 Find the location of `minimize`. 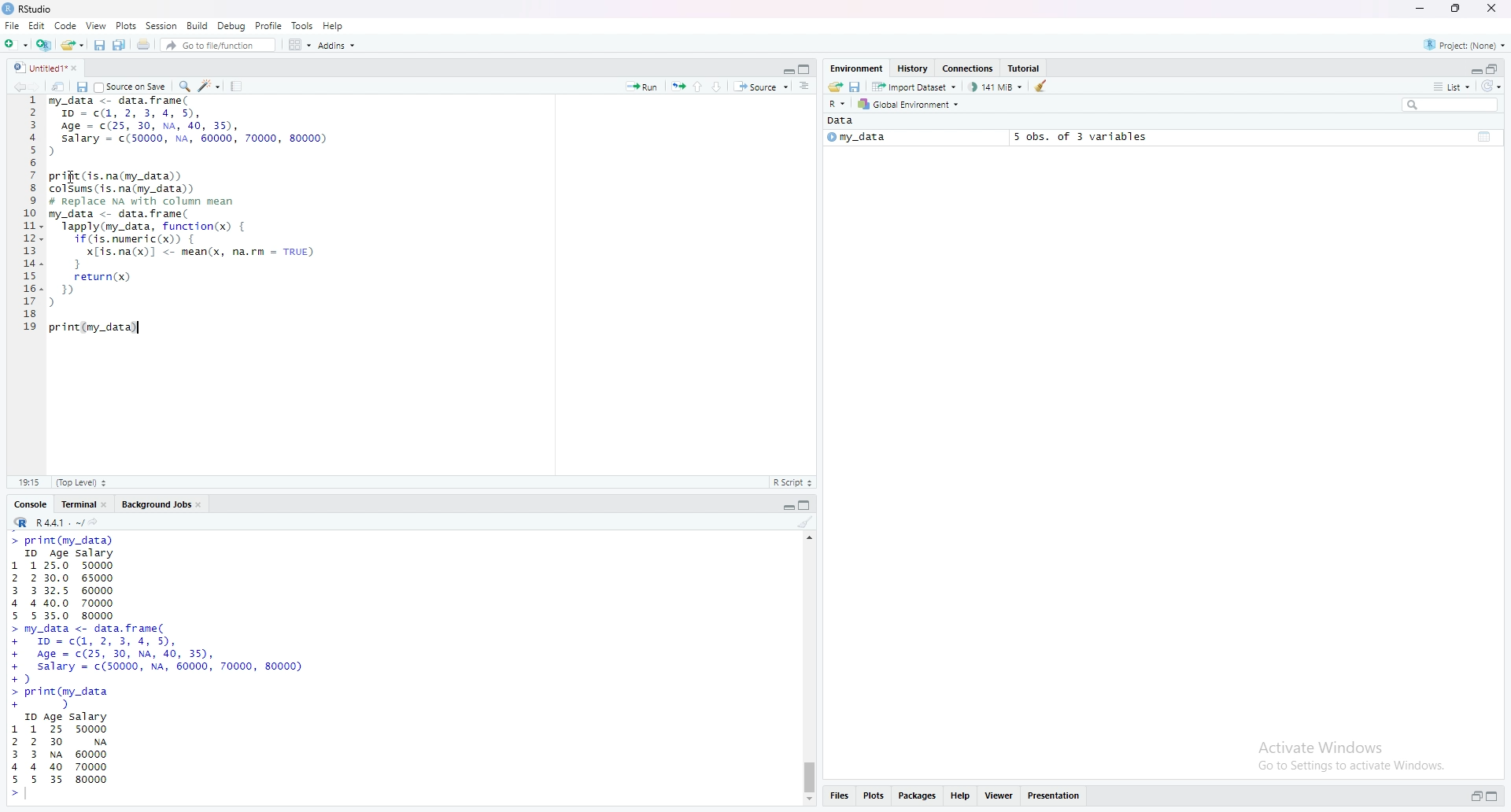

minimize is located at coordinates (1417, 9).